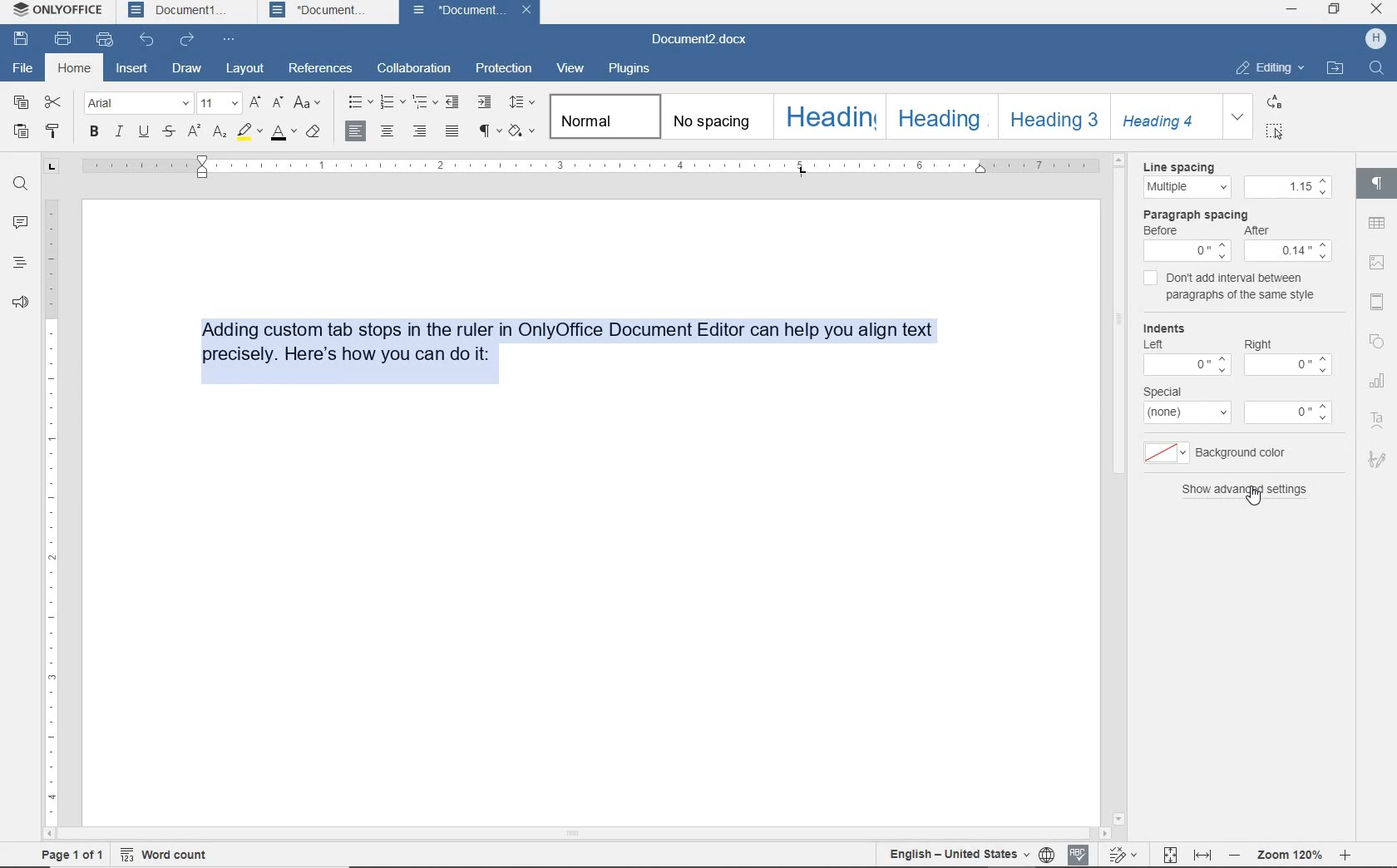 The width and height of the screenshot is (1397, 868). I want to click on no spacing, so click(713, 116).